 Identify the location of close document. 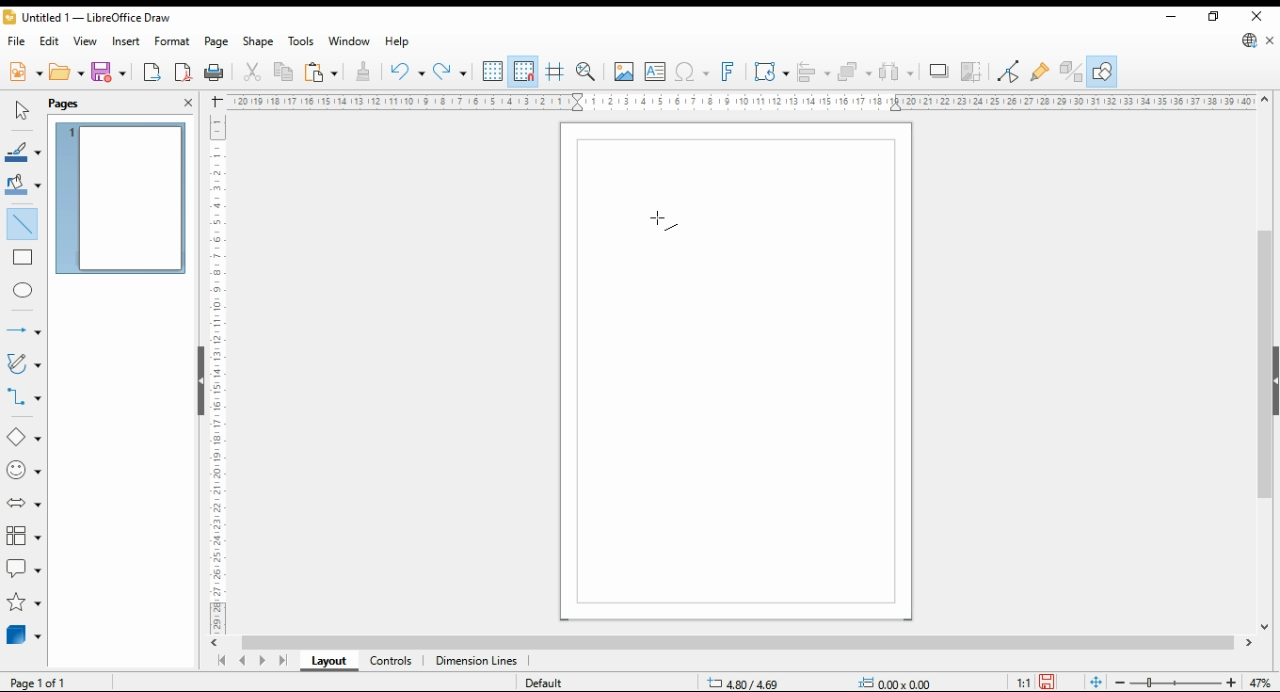
(1271, 42).